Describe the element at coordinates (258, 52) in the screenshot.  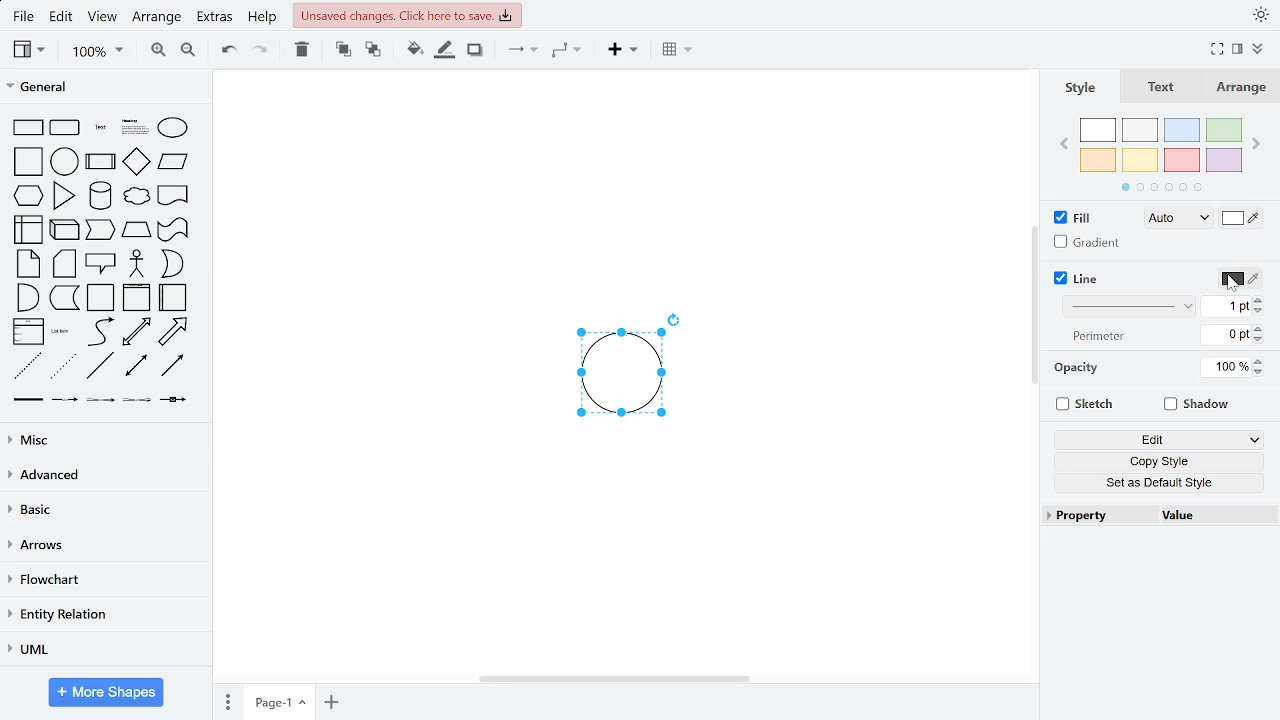
I see `redo` at that location.